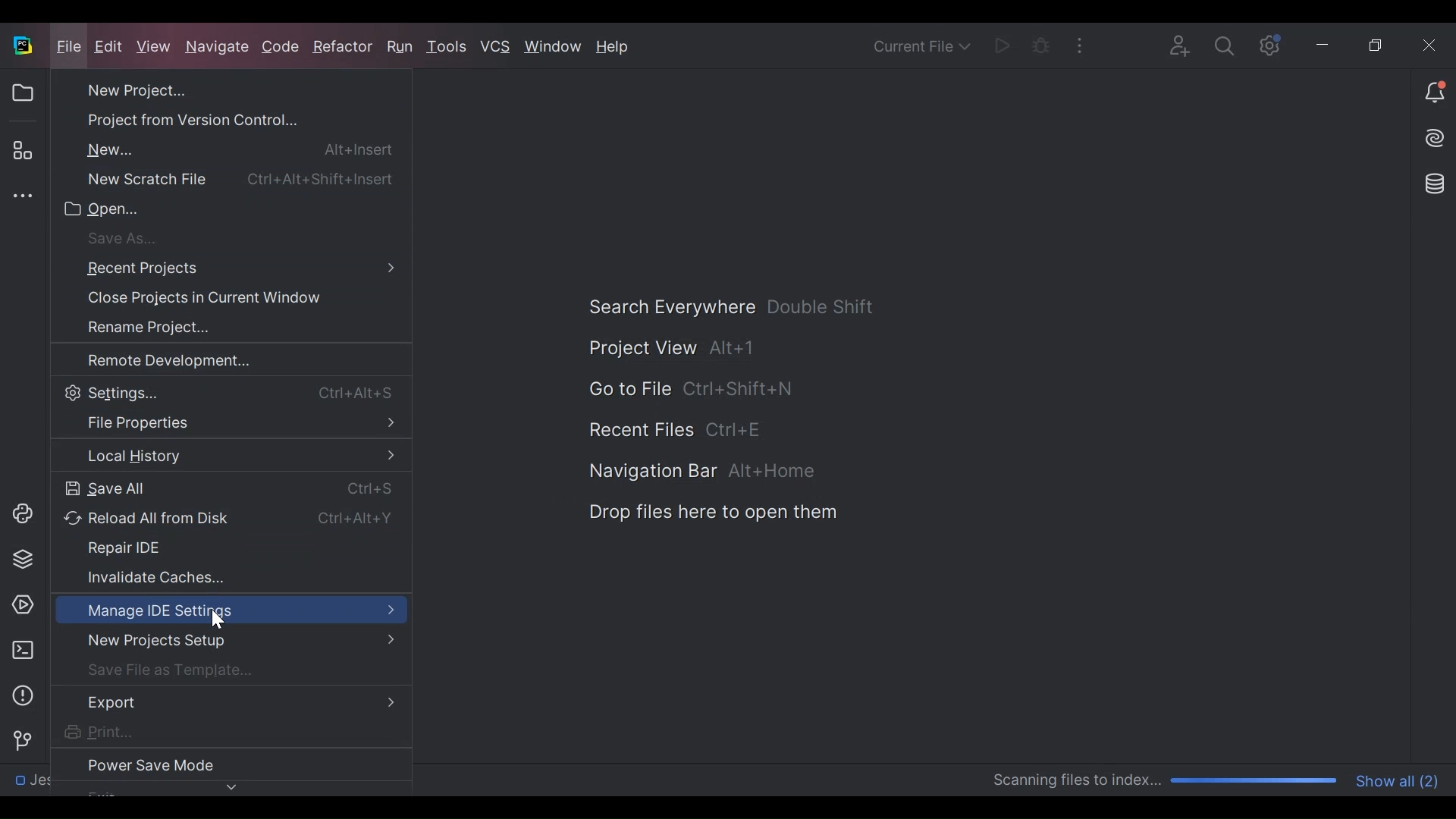 The width and height of the screenshot is (1456, 819). Describe the element at coordinates (155, 47) in the screenshot. I see `View` at that location.